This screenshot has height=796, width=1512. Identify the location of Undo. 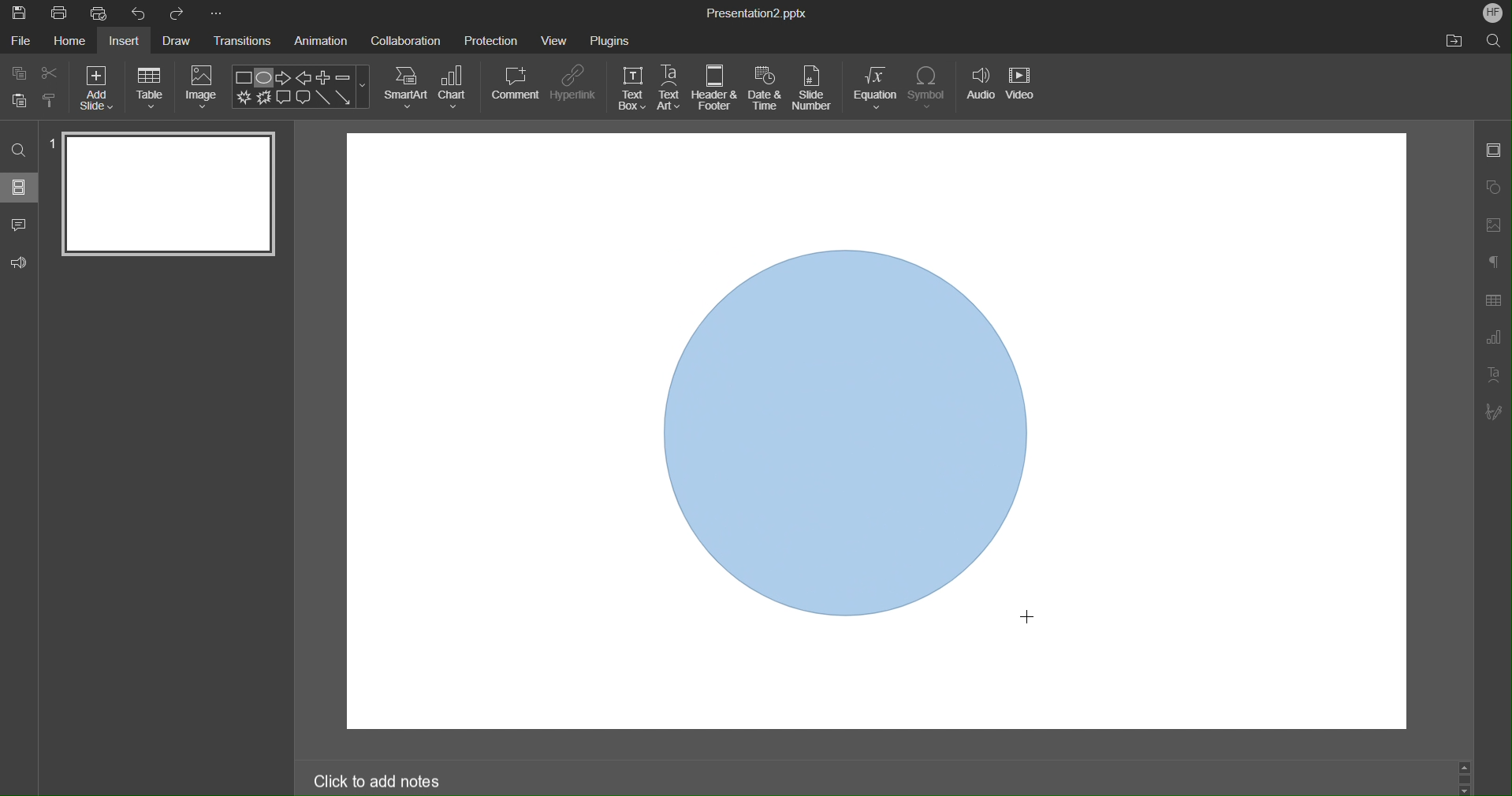
(142, 13).